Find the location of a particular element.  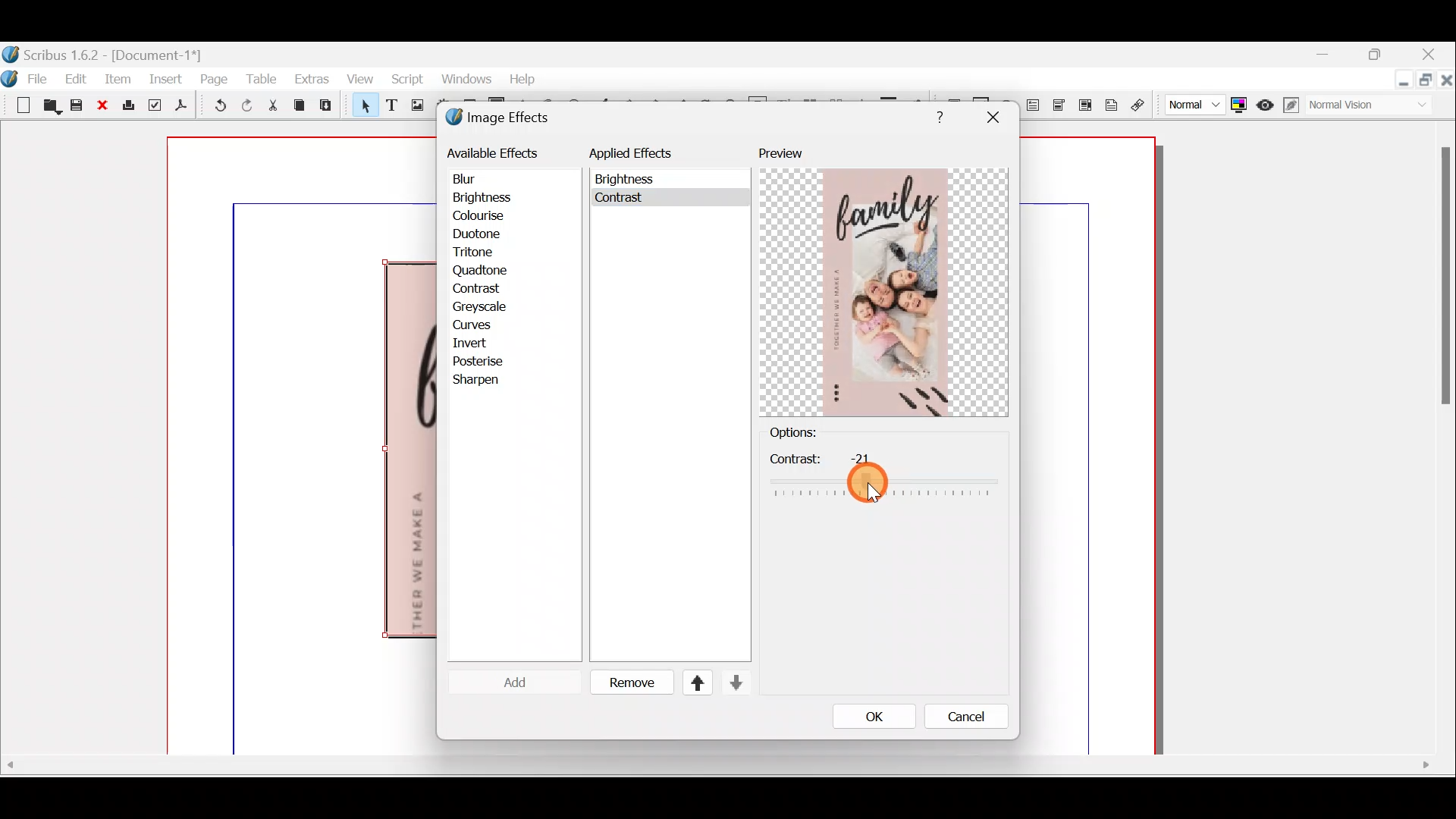

Undo is located at coordinates (217, 108).